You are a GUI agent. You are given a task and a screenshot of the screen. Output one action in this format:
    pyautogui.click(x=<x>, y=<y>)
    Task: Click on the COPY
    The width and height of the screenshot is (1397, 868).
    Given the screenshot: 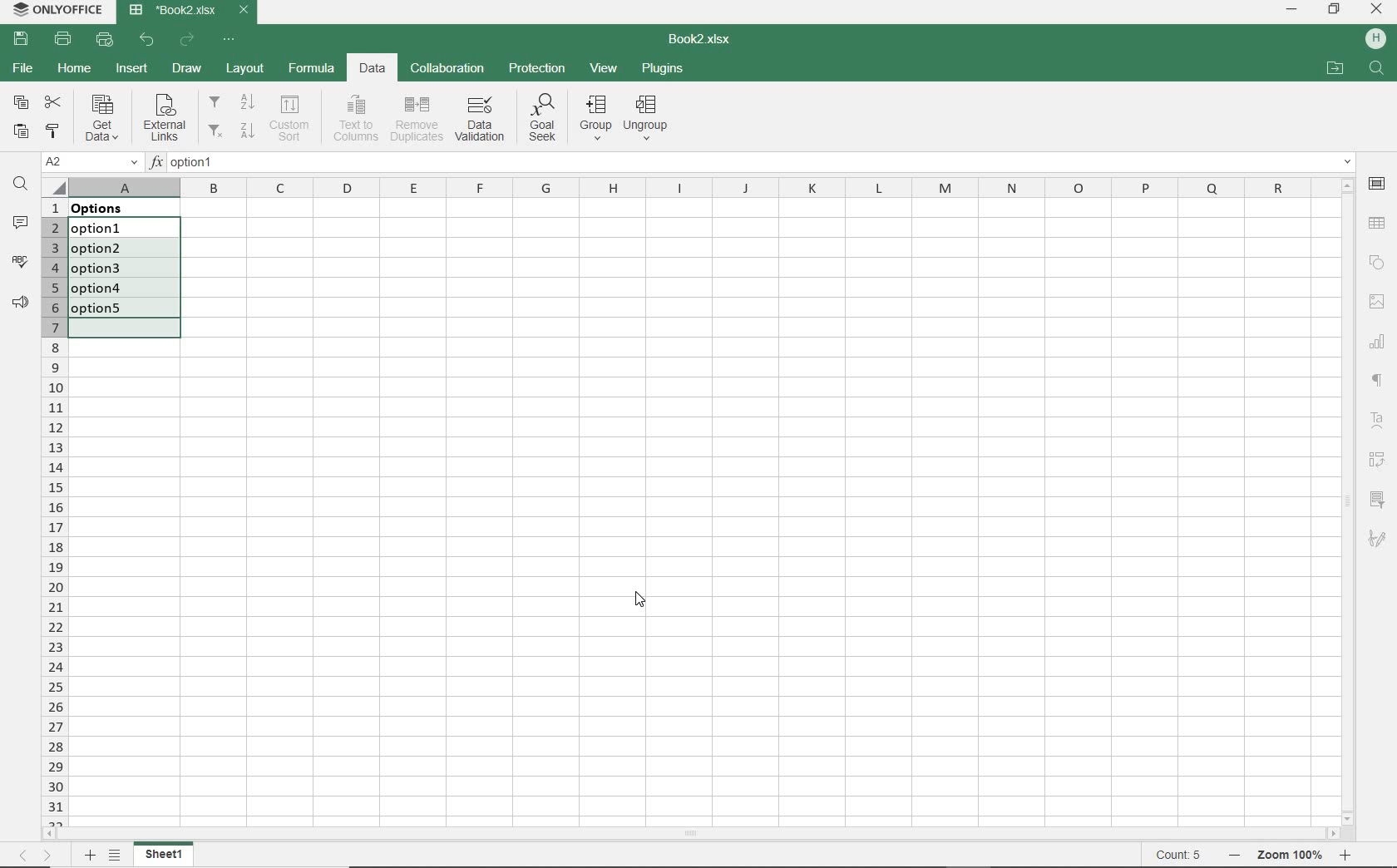 What is the action you would take?
    pyautogui.click(x=19, y=101)
    